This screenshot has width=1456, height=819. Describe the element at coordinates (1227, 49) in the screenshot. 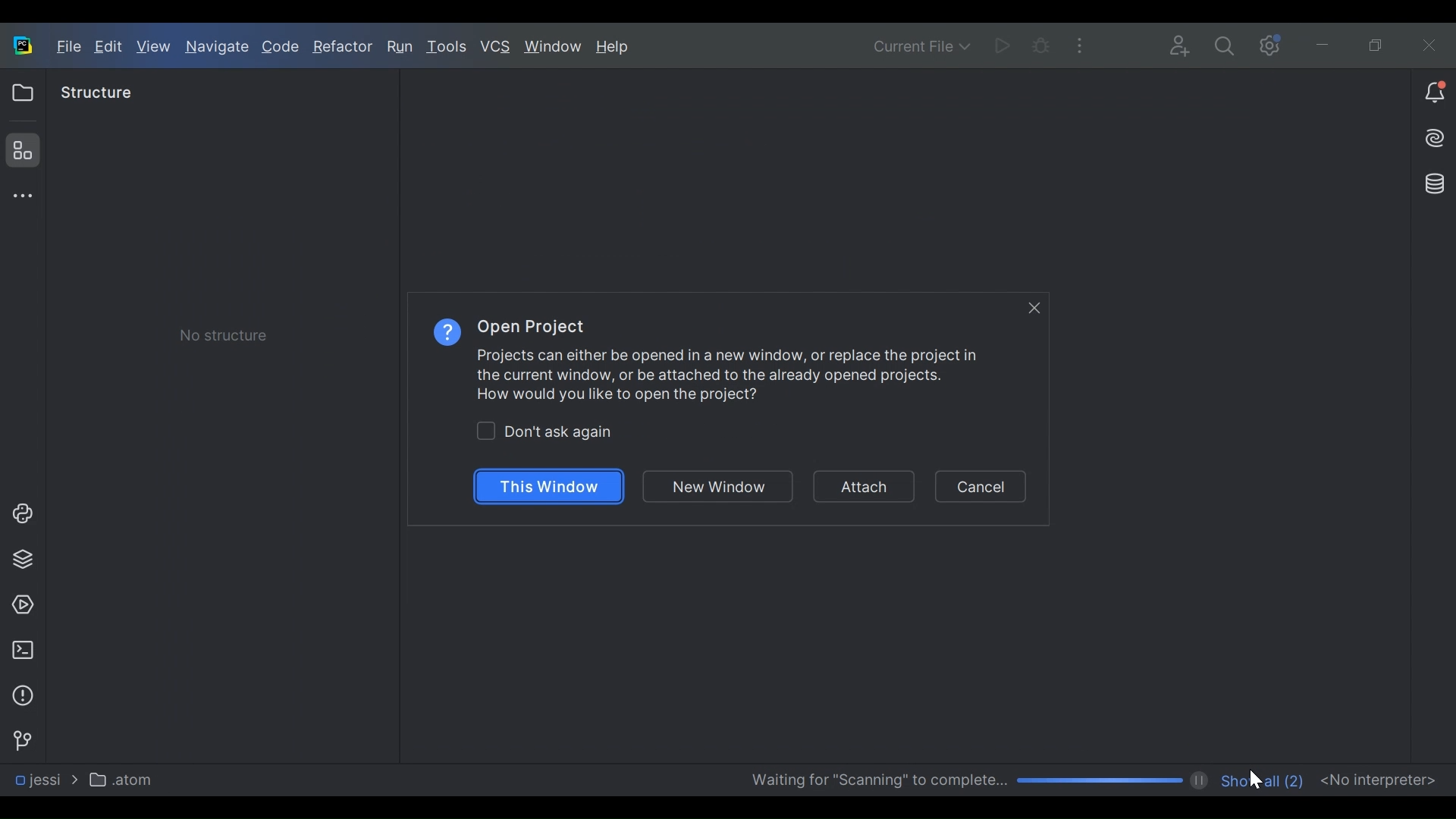

I see `Search` at that location.